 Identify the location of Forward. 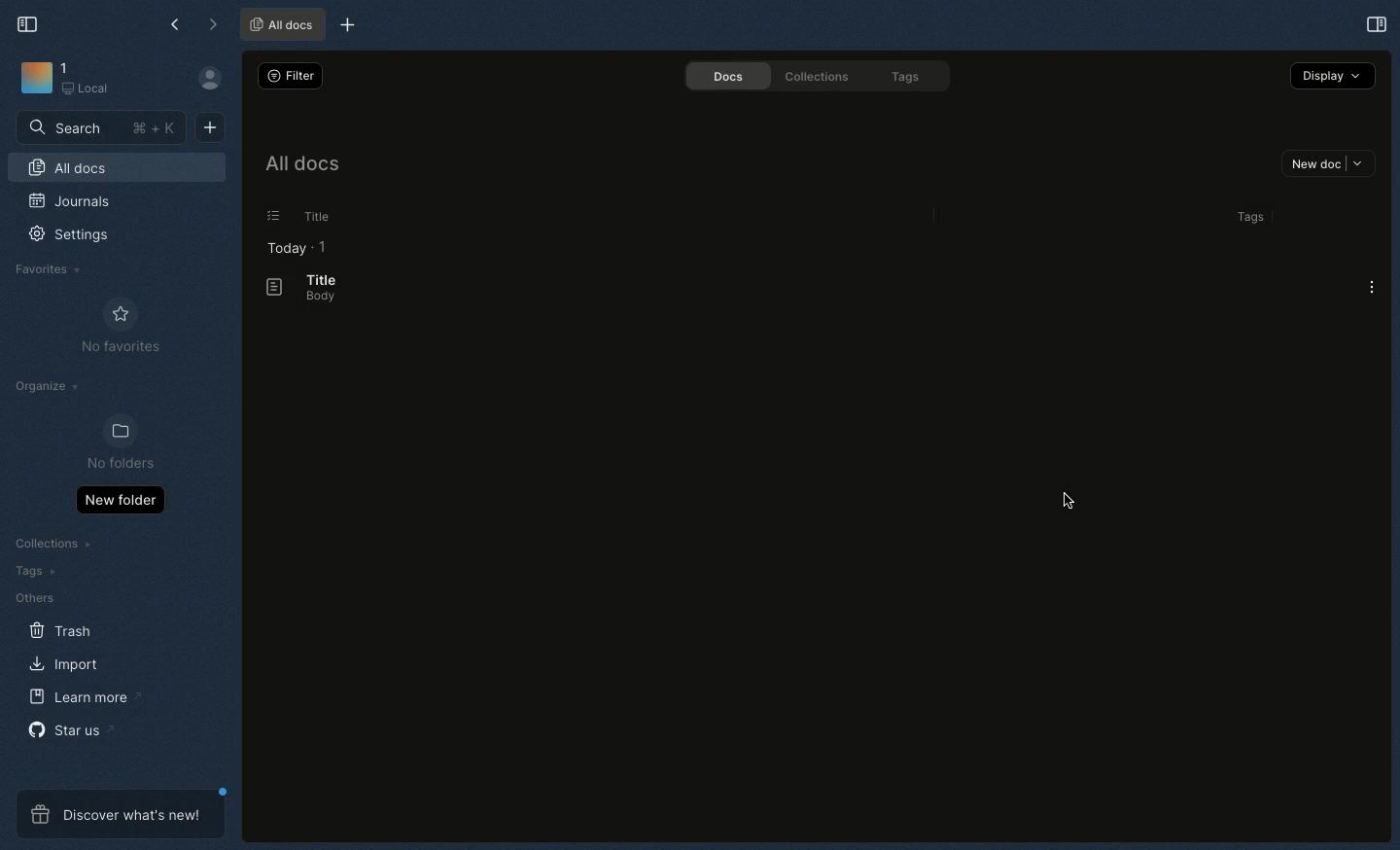
(213, 26).